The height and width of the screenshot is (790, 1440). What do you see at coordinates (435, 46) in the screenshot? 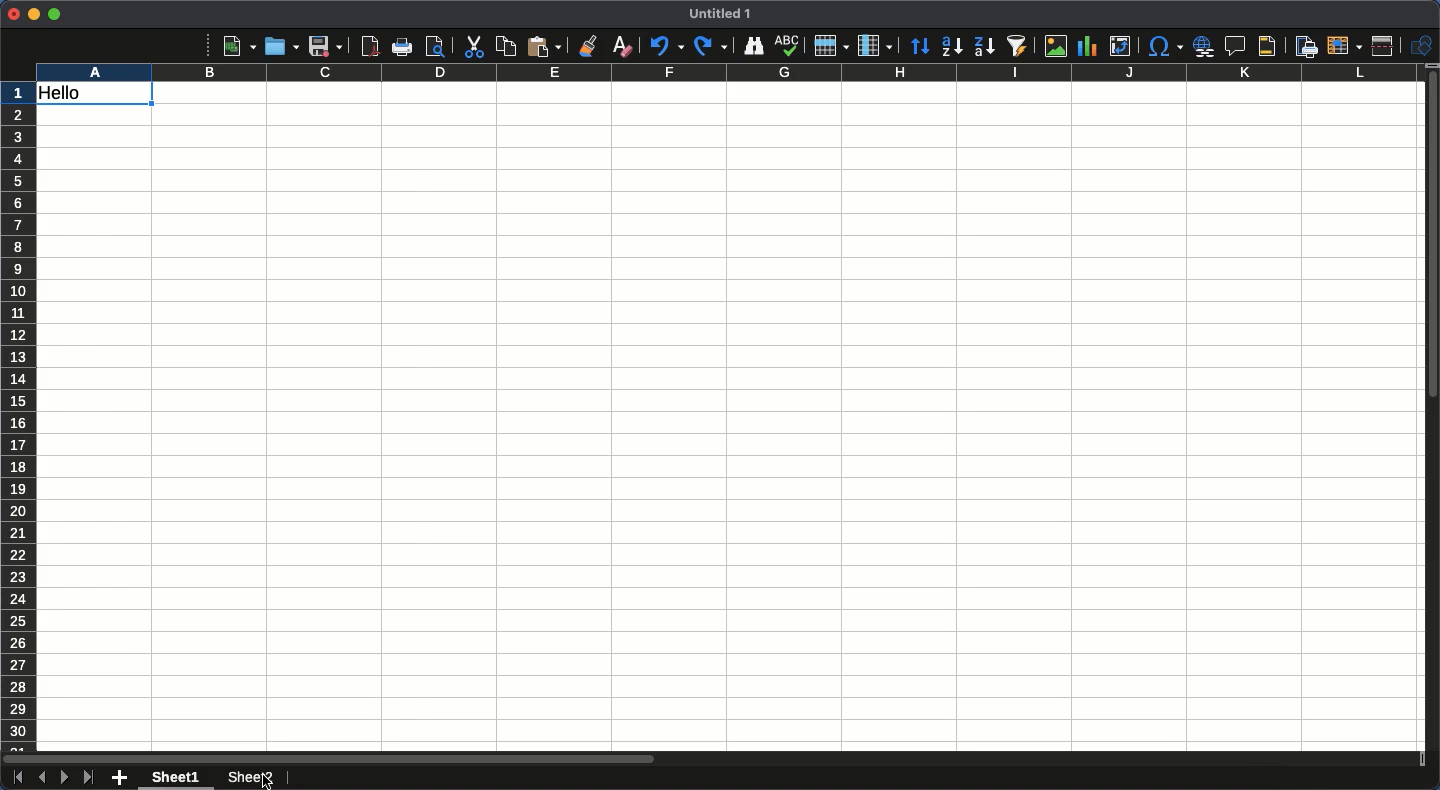
I see `Print preview` at bounding box center [435, 46].